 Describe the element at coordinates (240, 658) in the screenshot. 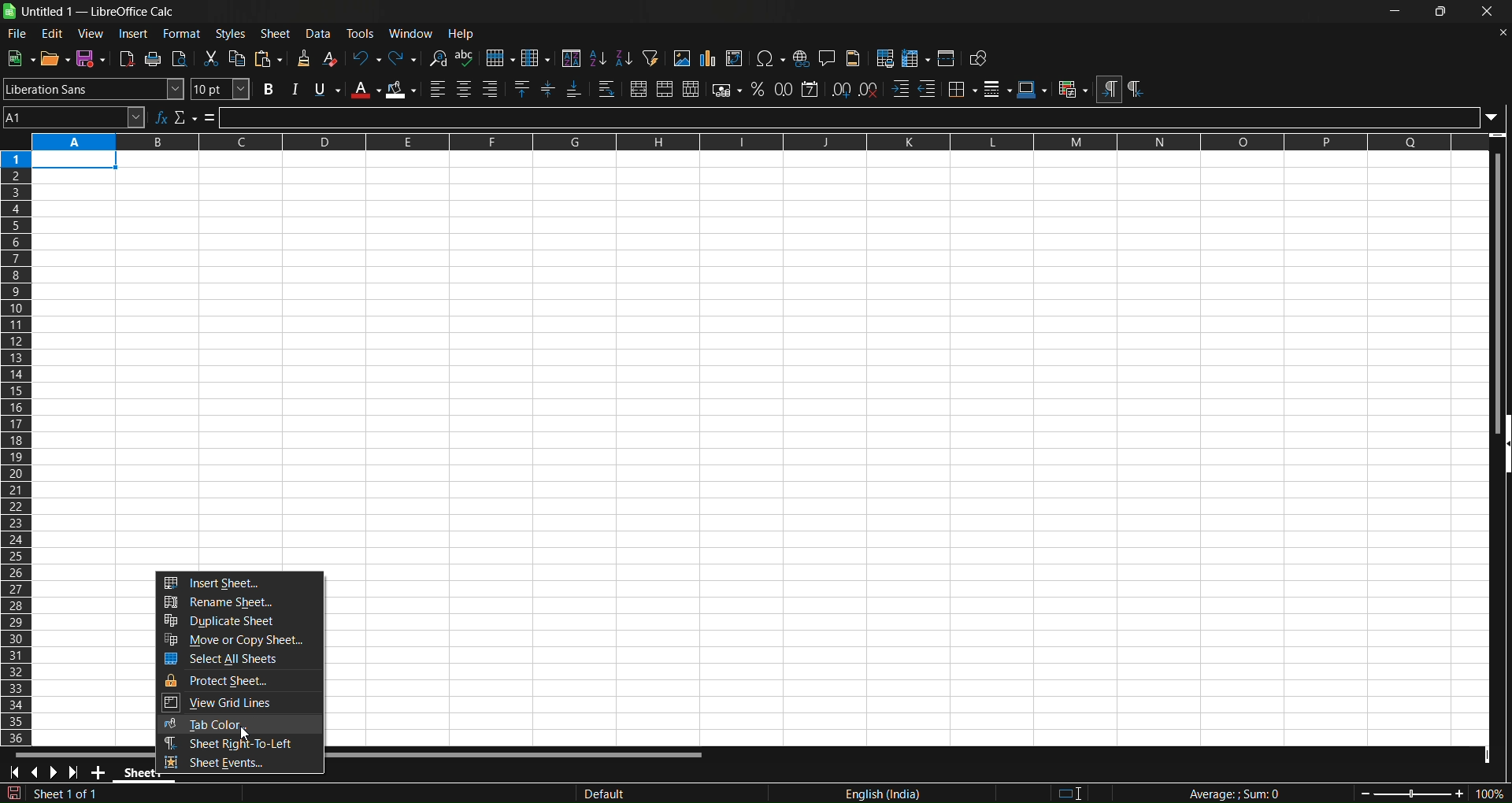

I see `select all sheet` at that location.